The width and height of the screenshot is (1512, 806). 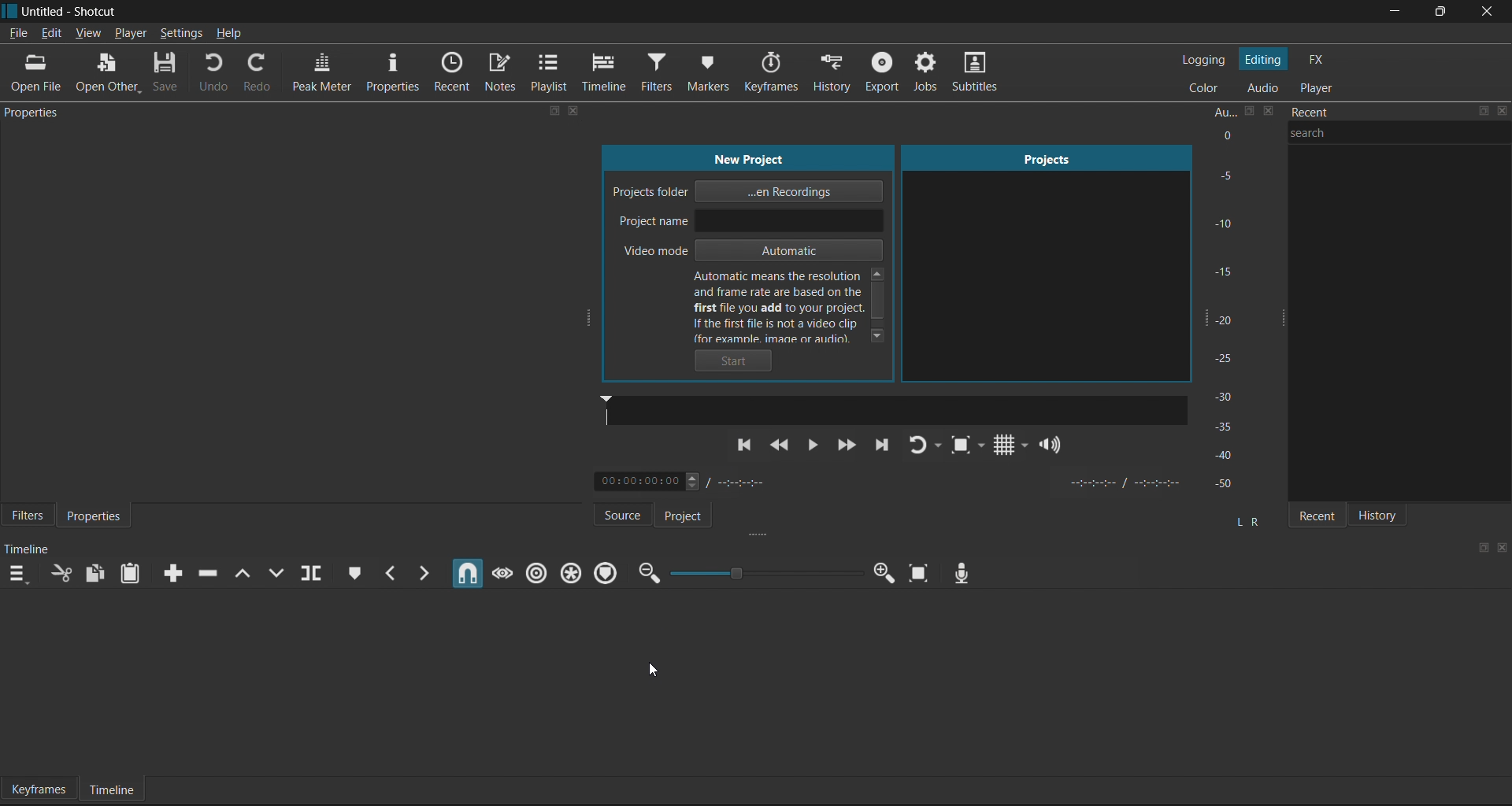 What do you see at coordinates (350, 571) in the screenshot?
I see `Create/Edit Marker` at bounding box center [350, 571].